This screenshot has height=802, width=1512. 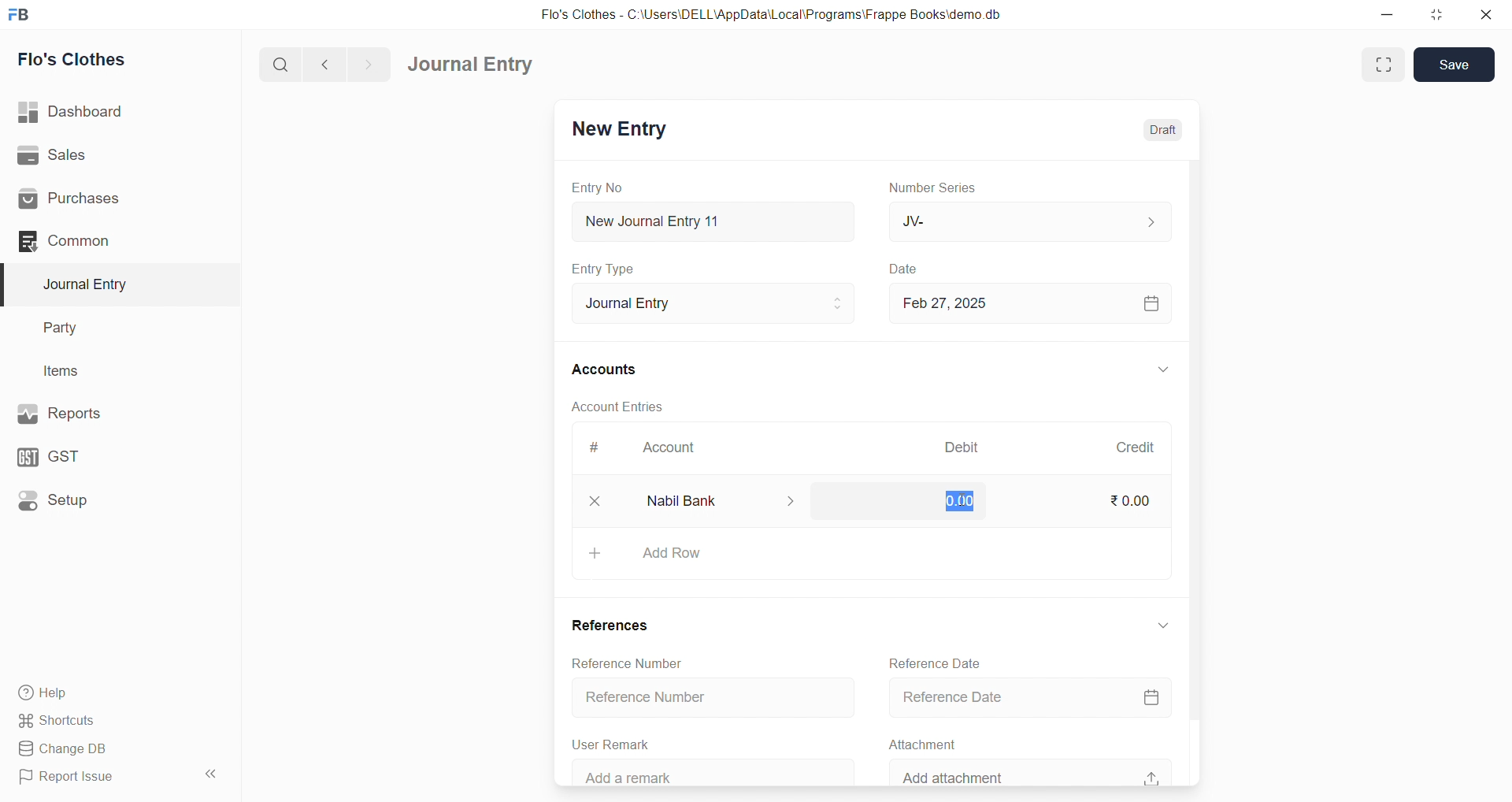 What do you see at coordinates (93, 414) in the screenshot?
I see `Reports` at bounding box center [93, 414].